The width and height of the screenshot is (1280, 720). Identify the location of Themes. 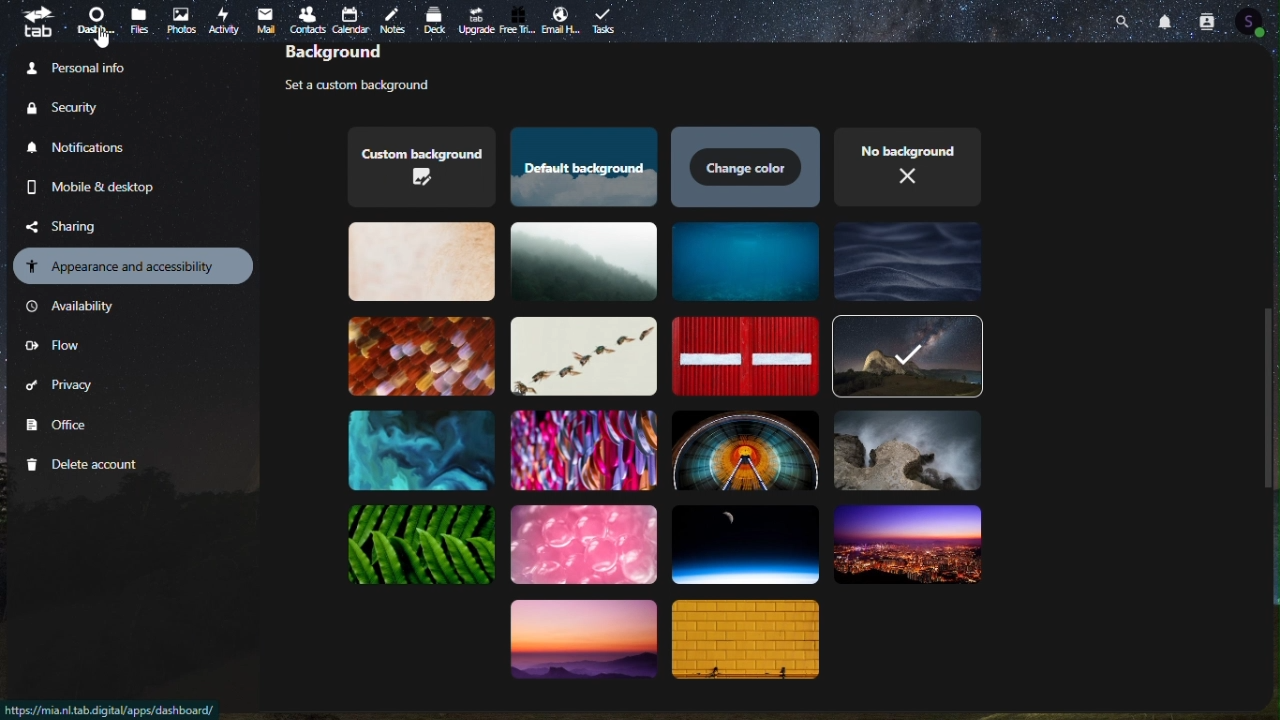
(423, 546).